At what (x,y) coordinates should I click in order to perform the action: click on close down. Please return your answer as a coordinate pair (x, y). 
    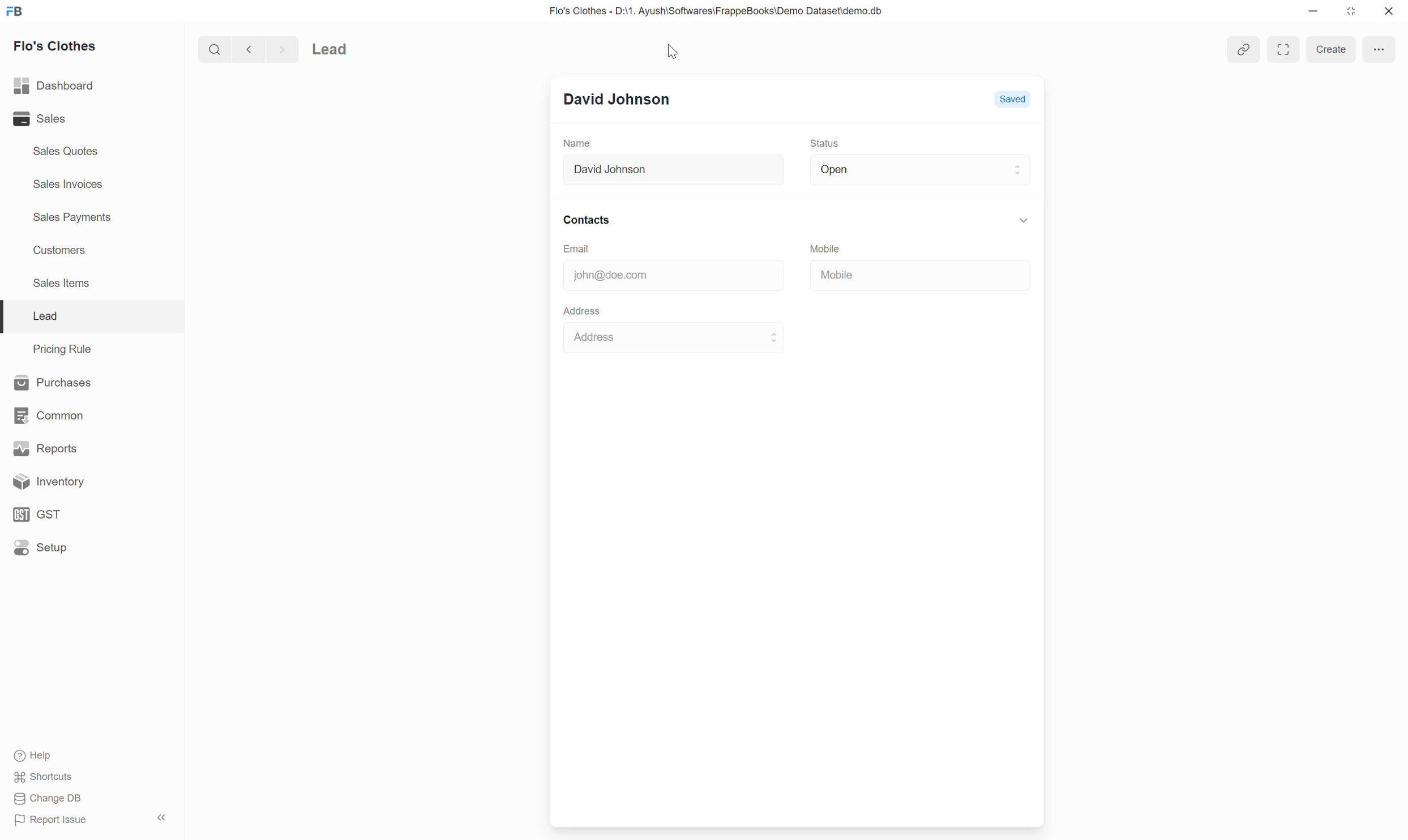
    Looking at the image, I should click on (1352, 10).